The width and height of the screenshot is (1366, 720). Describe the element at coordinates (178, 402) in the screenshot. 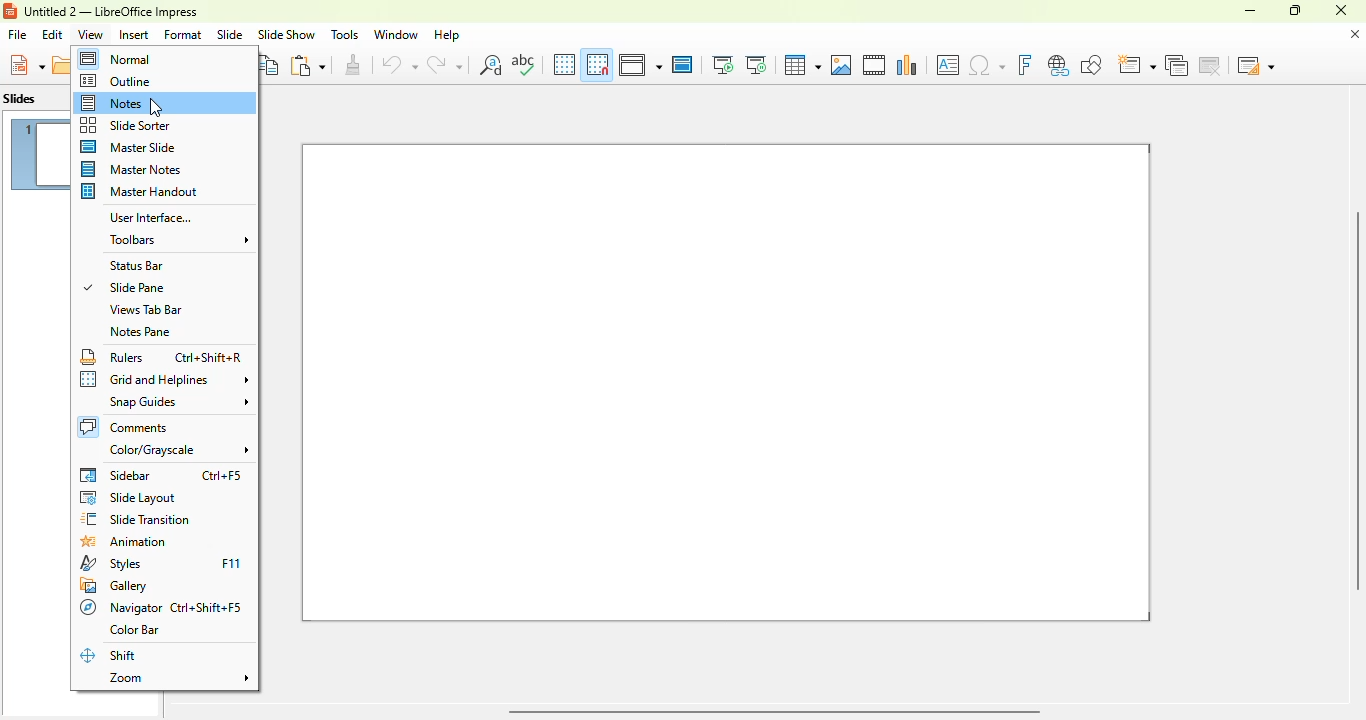

I see `snap guides` at that location.